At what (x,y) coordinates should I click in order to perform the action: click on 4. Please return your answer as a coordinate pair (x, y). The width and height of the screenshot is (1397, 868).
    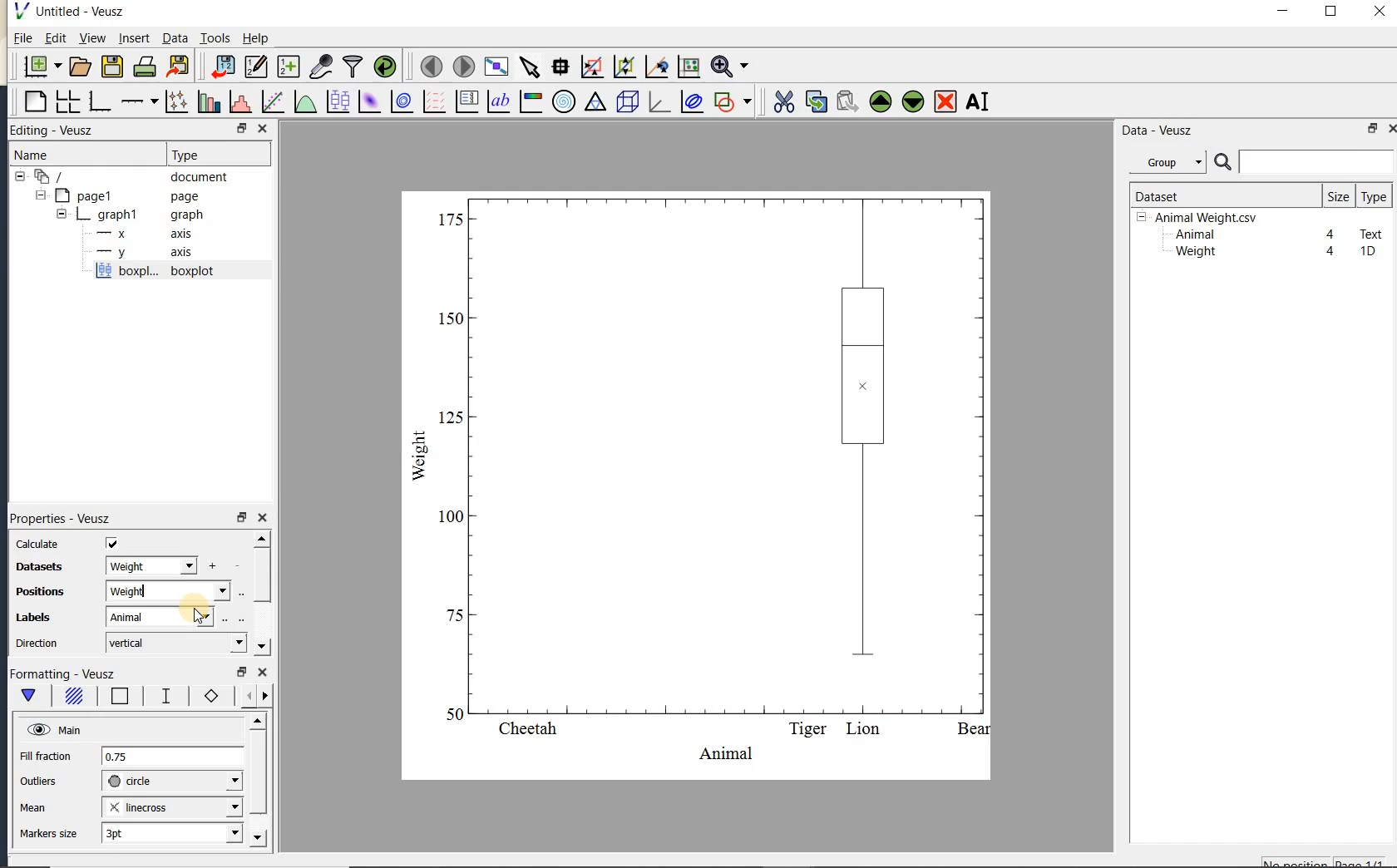
    Looking at the image, I should click on (1331, 252).